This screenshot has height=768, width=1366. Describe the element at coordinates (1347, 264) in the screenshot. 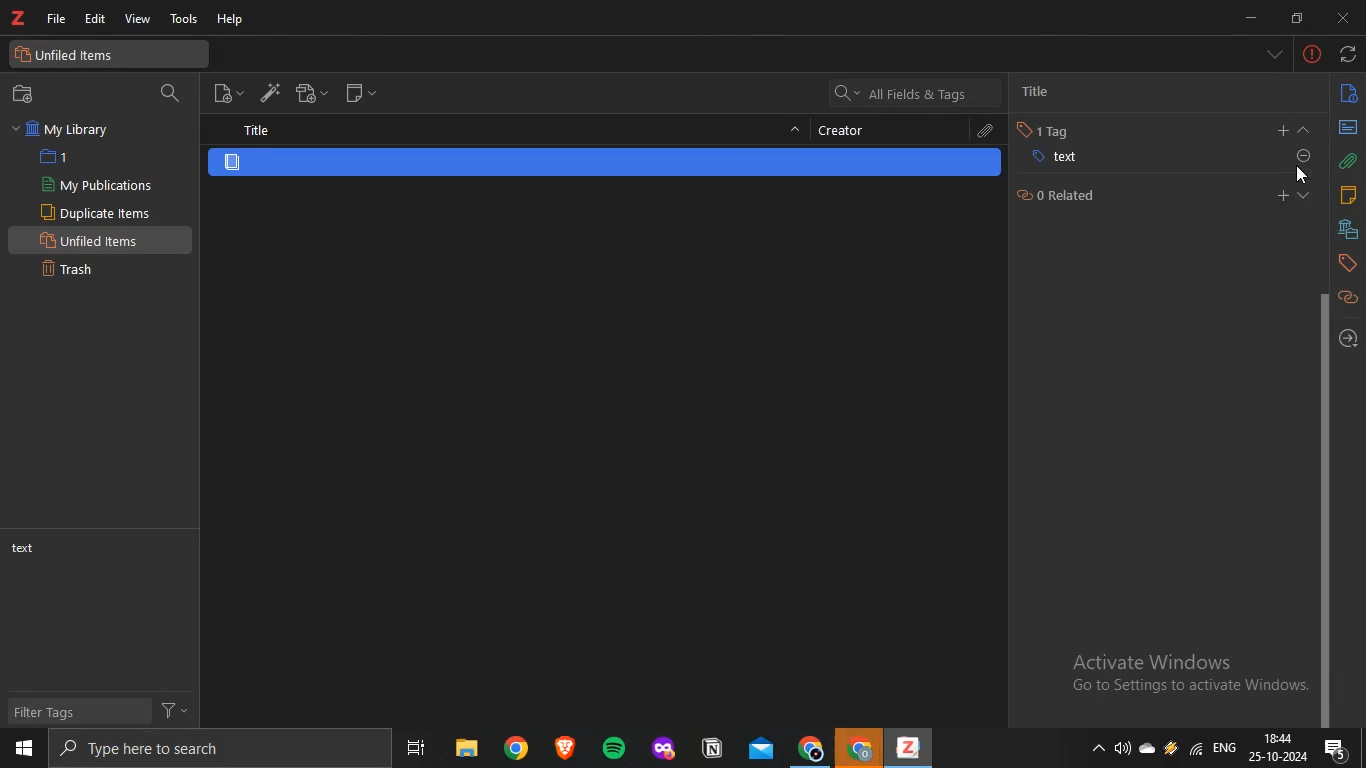

I see `tags` at that location.